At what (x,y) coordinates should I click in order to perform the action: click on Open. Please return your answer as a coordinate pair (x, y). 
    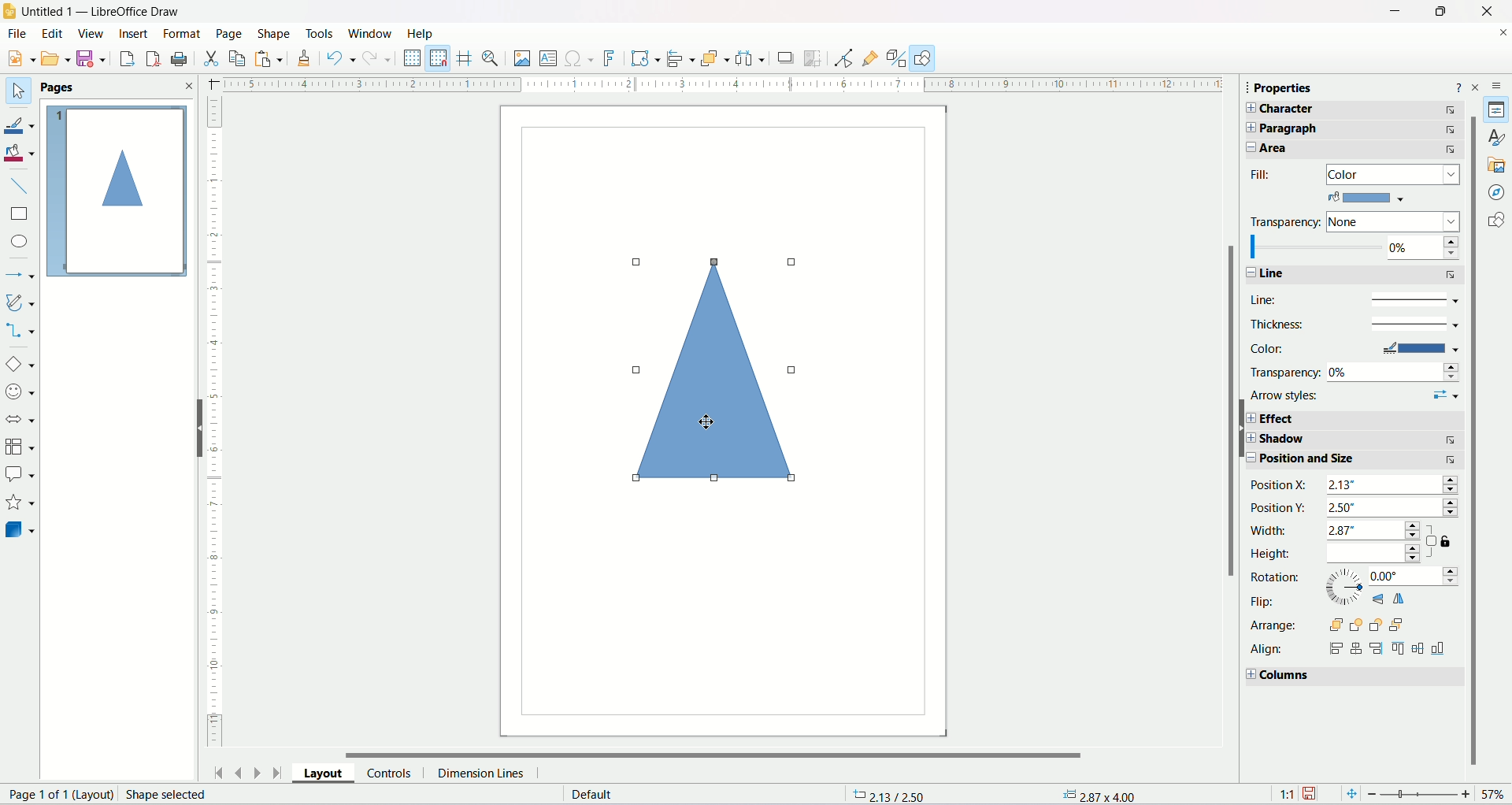
    Looking at the image, I should click on (54, 57).